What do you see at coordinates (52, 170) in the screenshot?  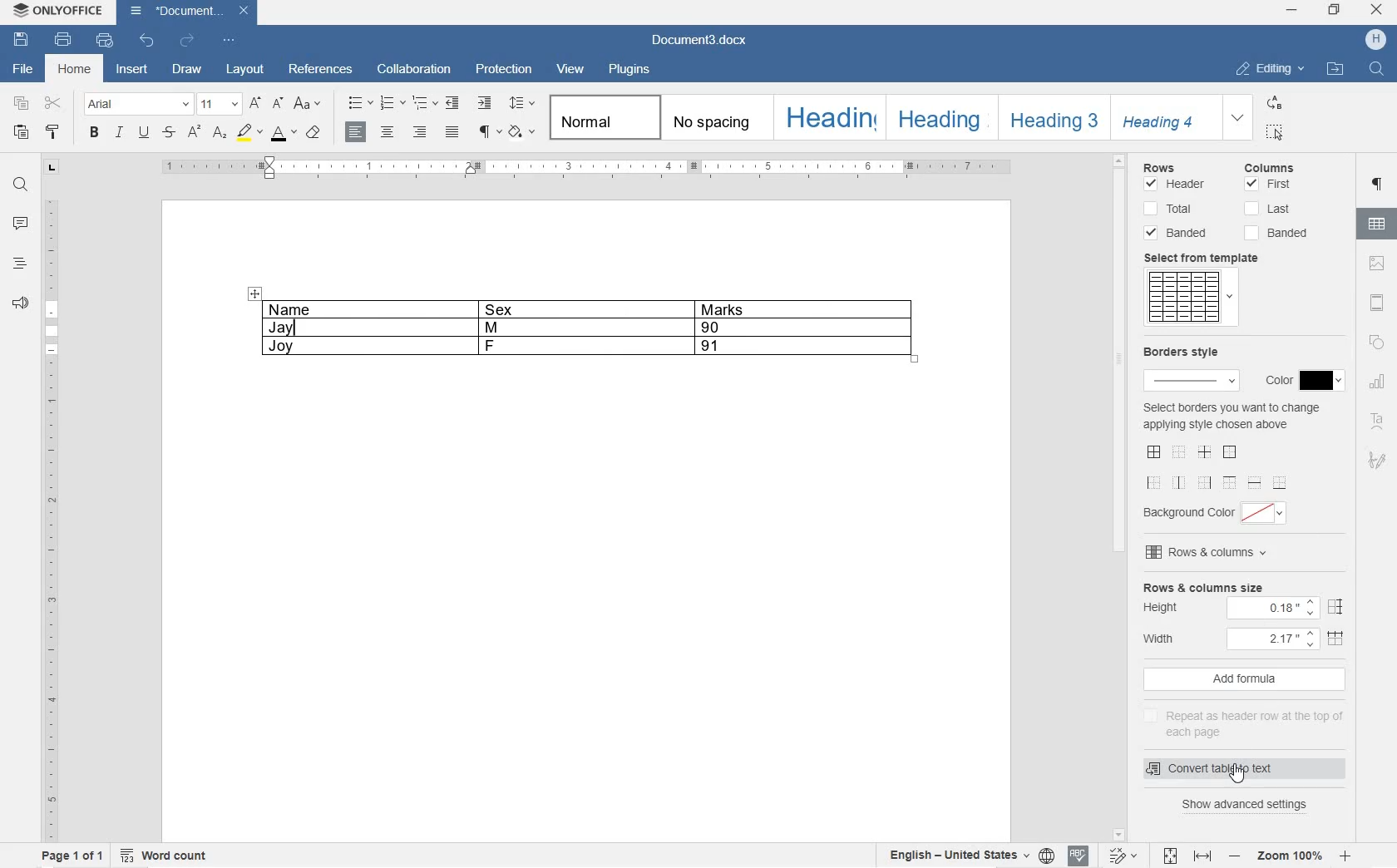 I see `TAB` at bounding box center [52, 170].